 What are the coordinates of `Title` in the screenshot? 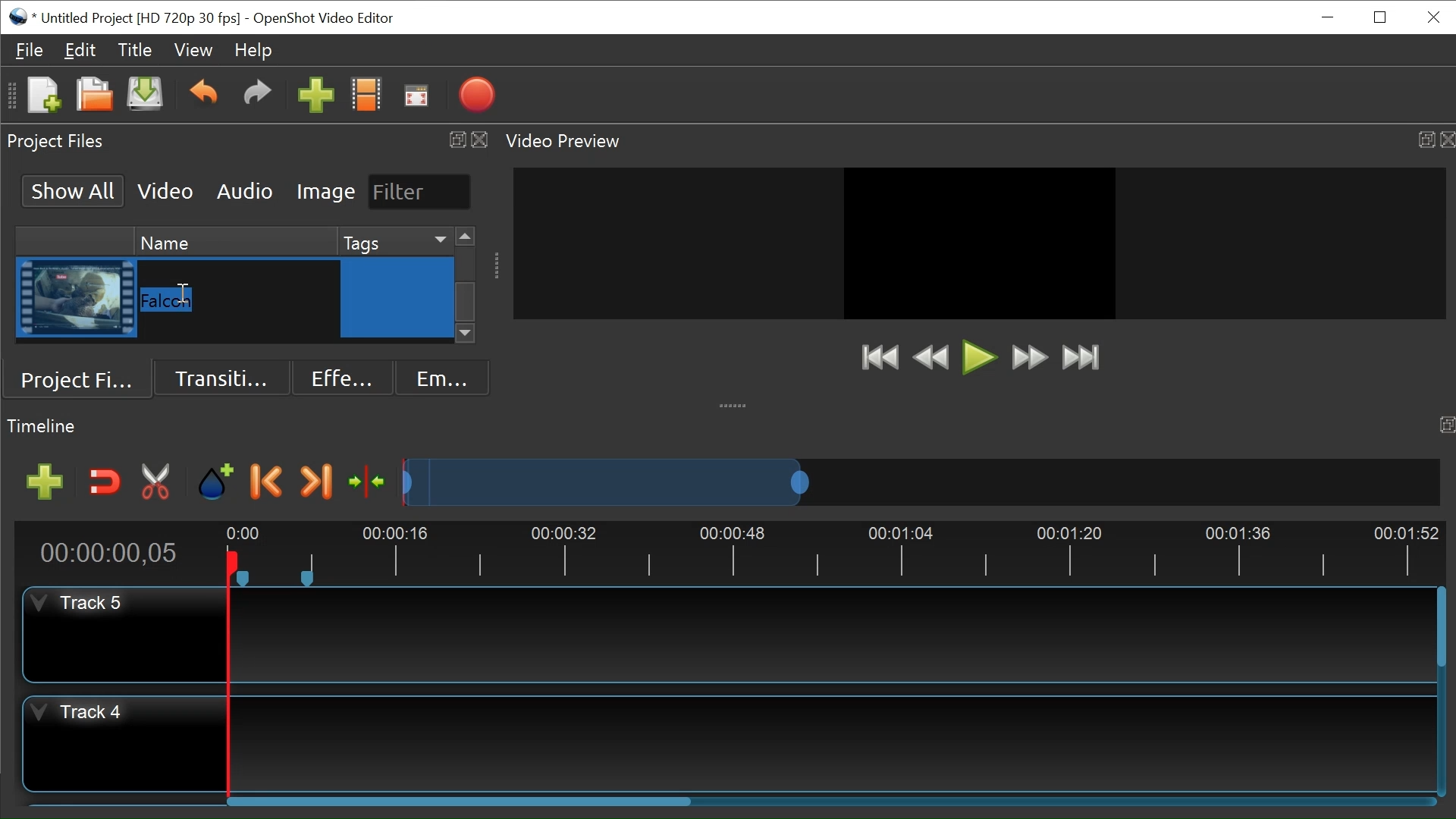 It's located at (138, 52).